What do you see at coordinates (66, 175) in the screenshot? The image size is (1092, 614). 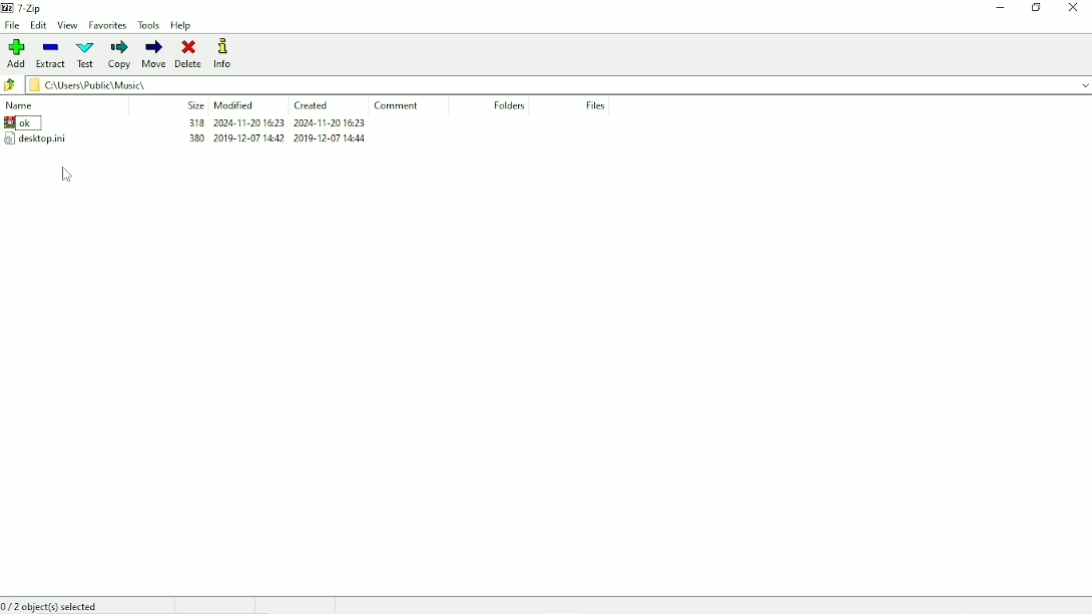 I see `Cursor` at bounding box center [66, 175].